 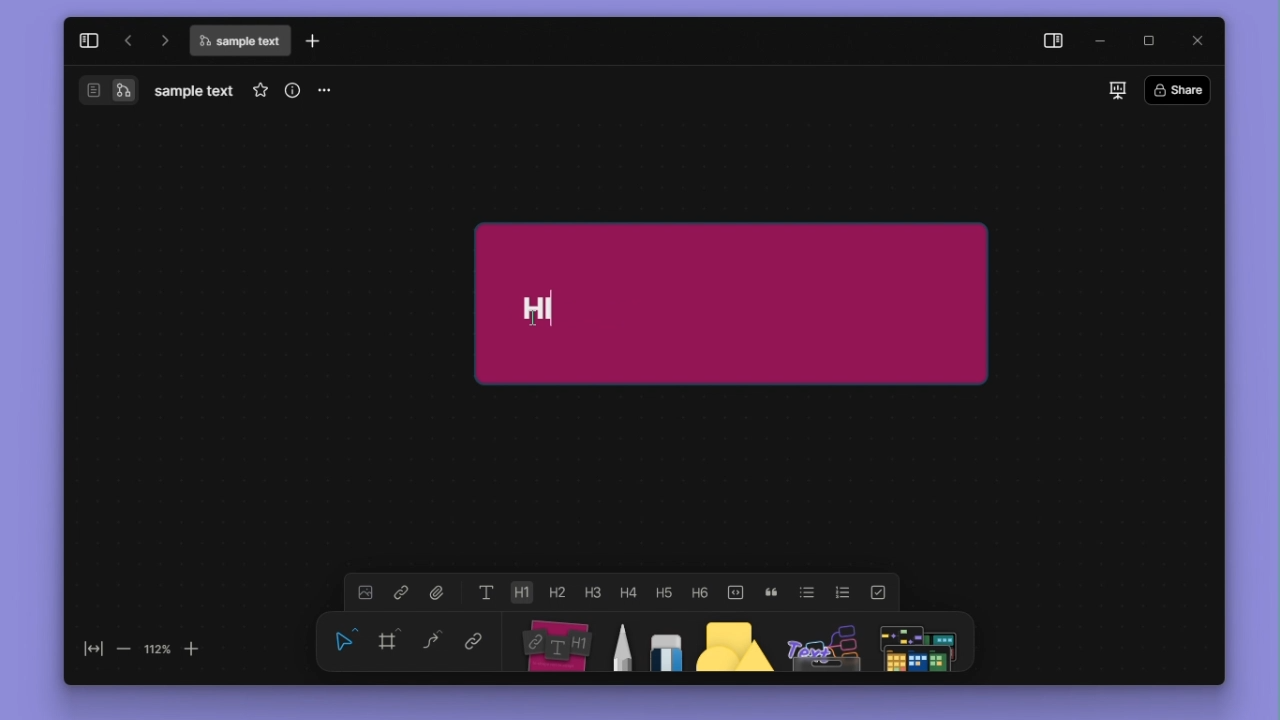 I want to click on zoom out, so click(x=125, y=650).